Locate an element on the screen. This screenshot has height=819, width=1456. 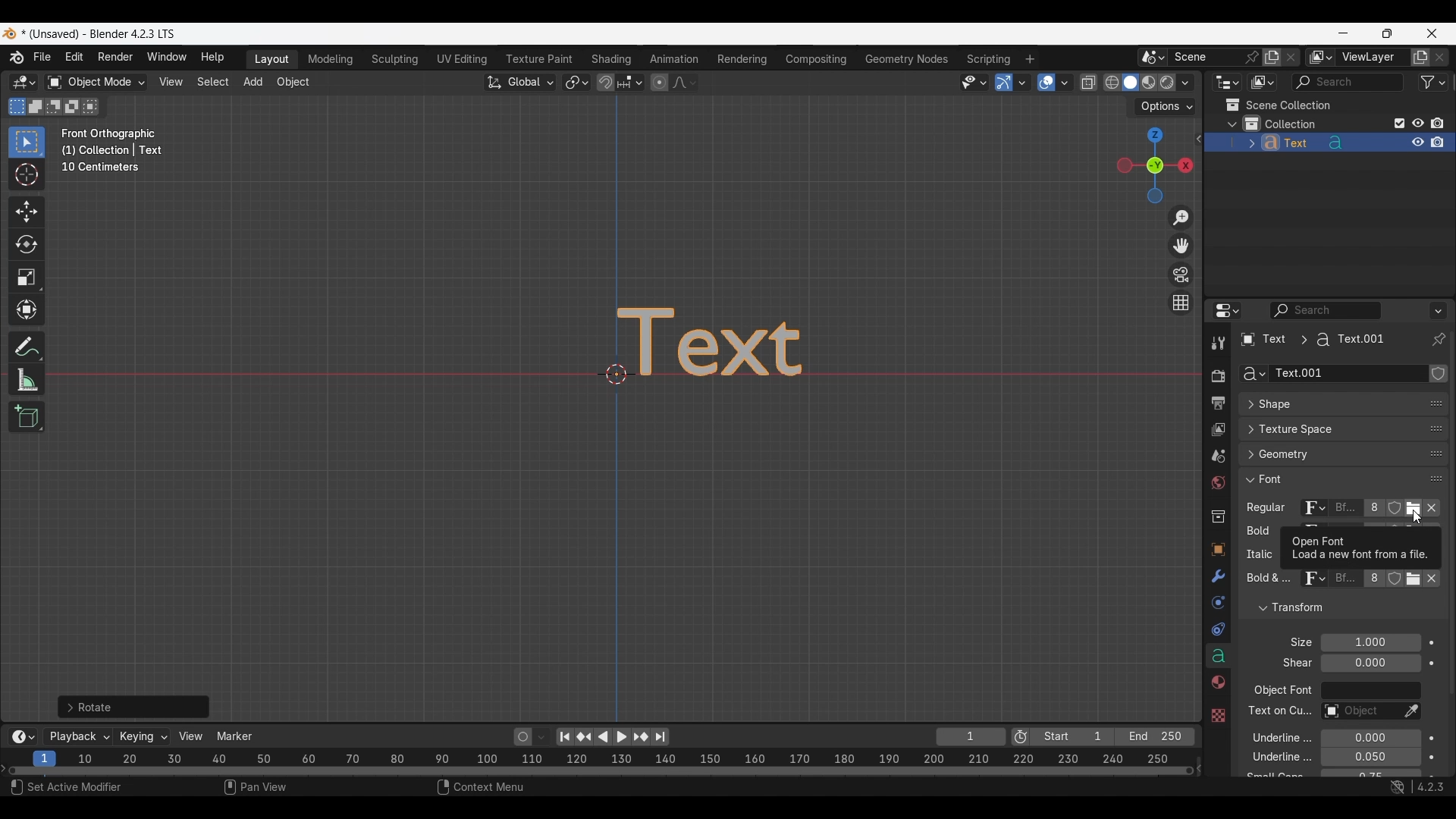
Unlink respective attribute is located at coordinates (1436, 510).